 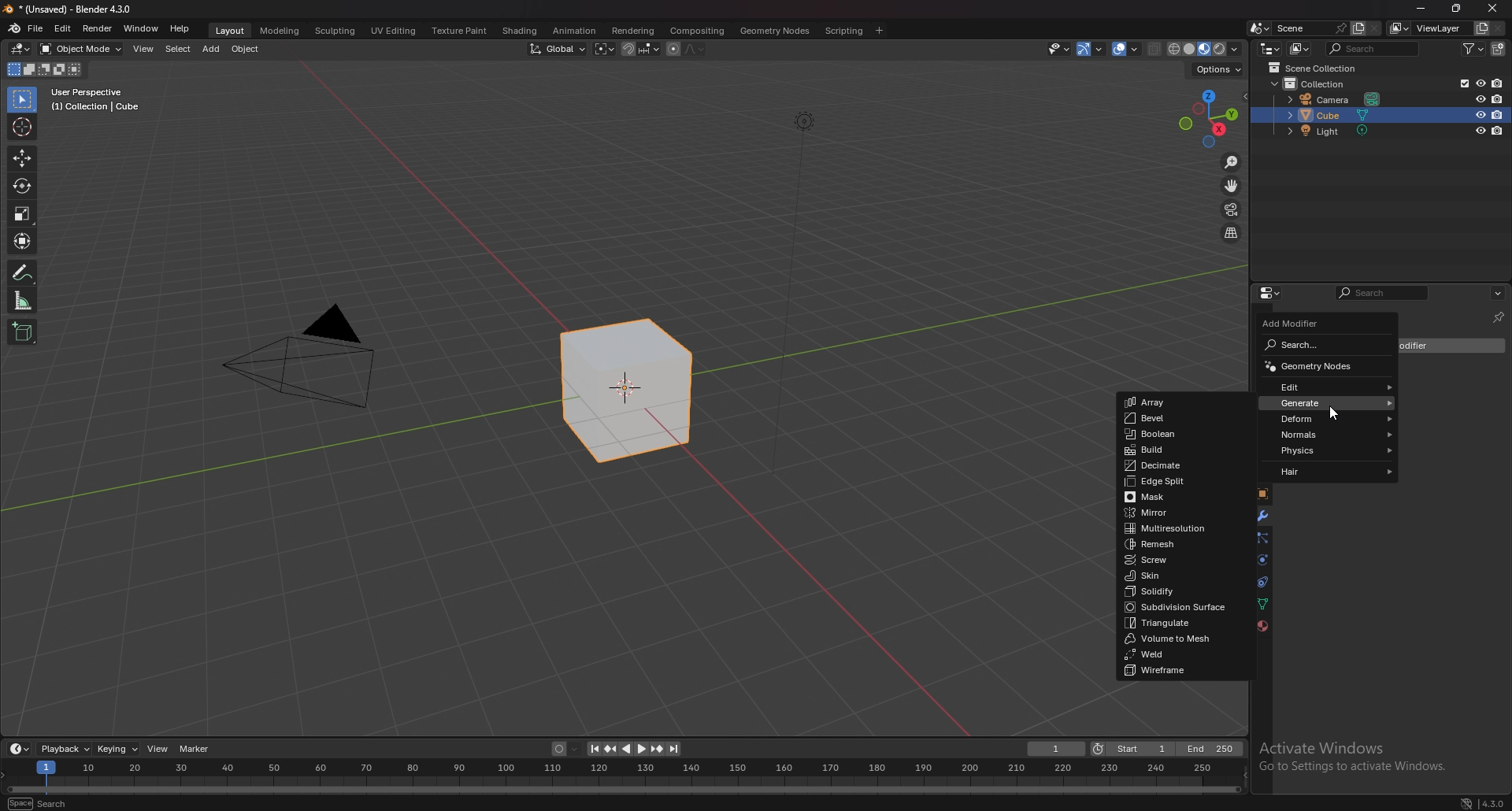 What do you see at coordinates (603, 48) in the screenshot?
I see `transform pivot point` at bounding box center [603, 48].